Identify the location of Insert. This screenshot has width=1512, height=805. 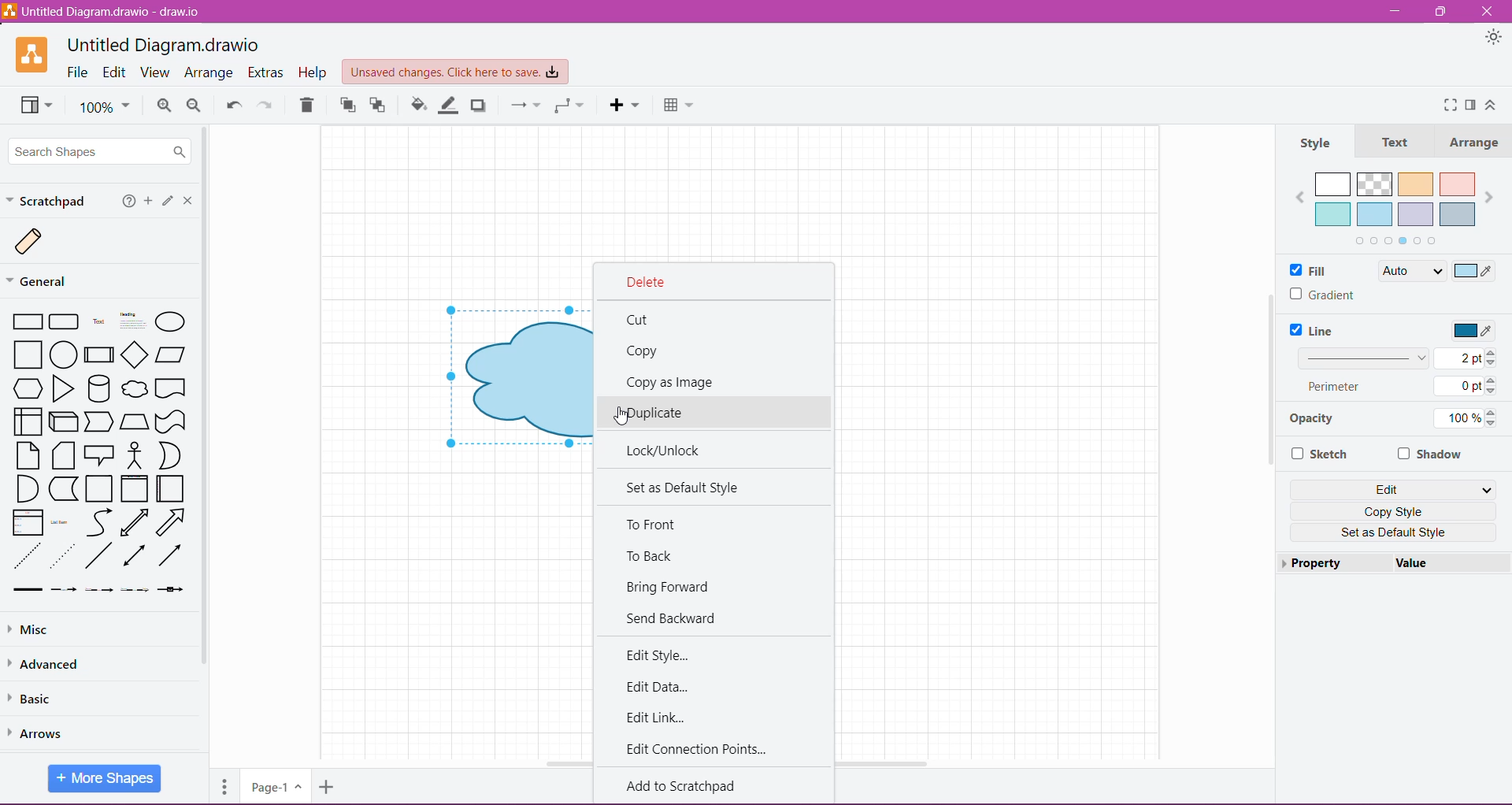
(625, 106).